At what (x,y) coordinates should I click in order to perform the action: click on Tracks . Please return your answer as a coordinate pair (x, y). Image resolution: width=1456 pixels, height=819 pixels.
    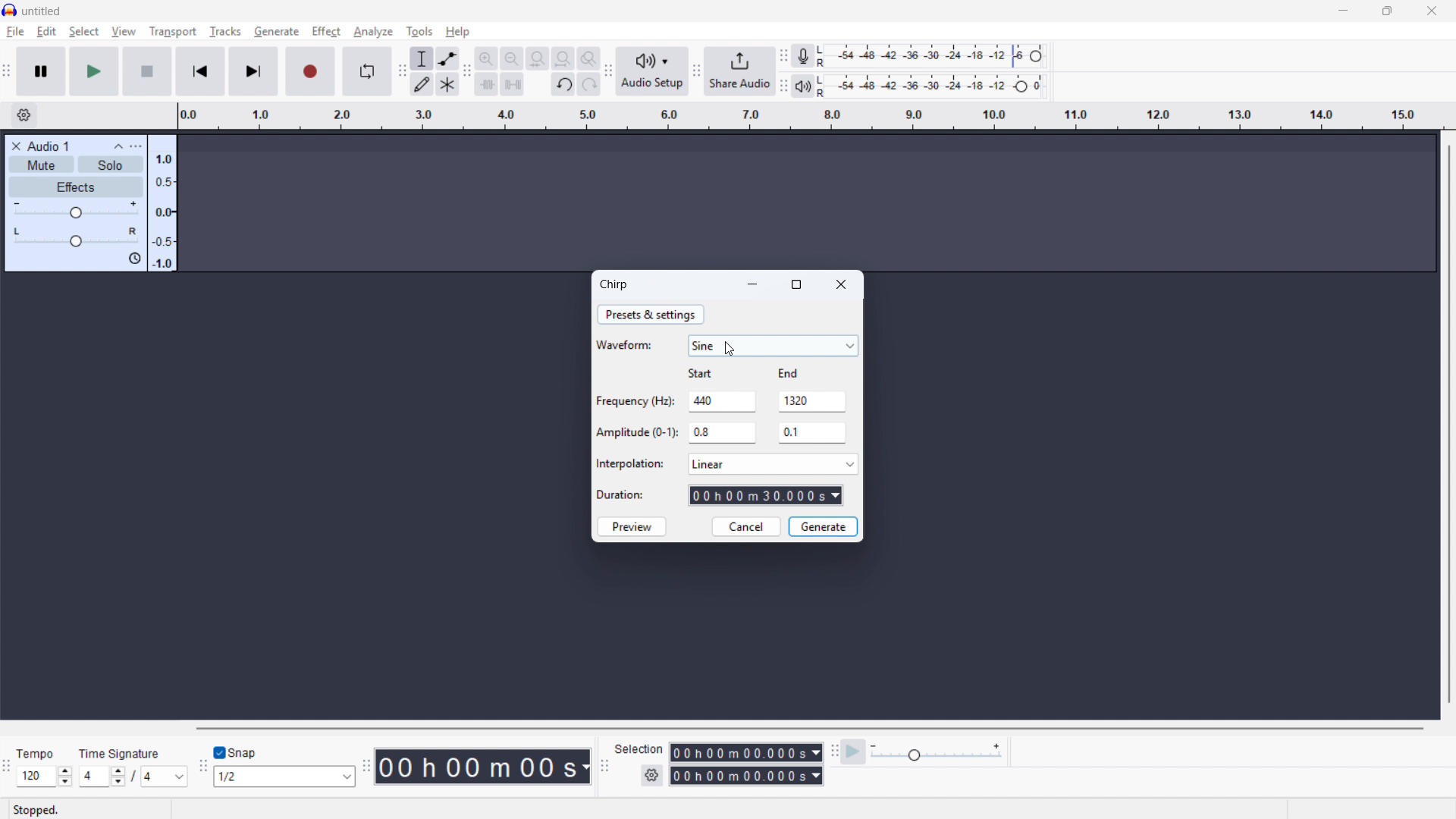
    Looking at the image, I should click on (224, 31).